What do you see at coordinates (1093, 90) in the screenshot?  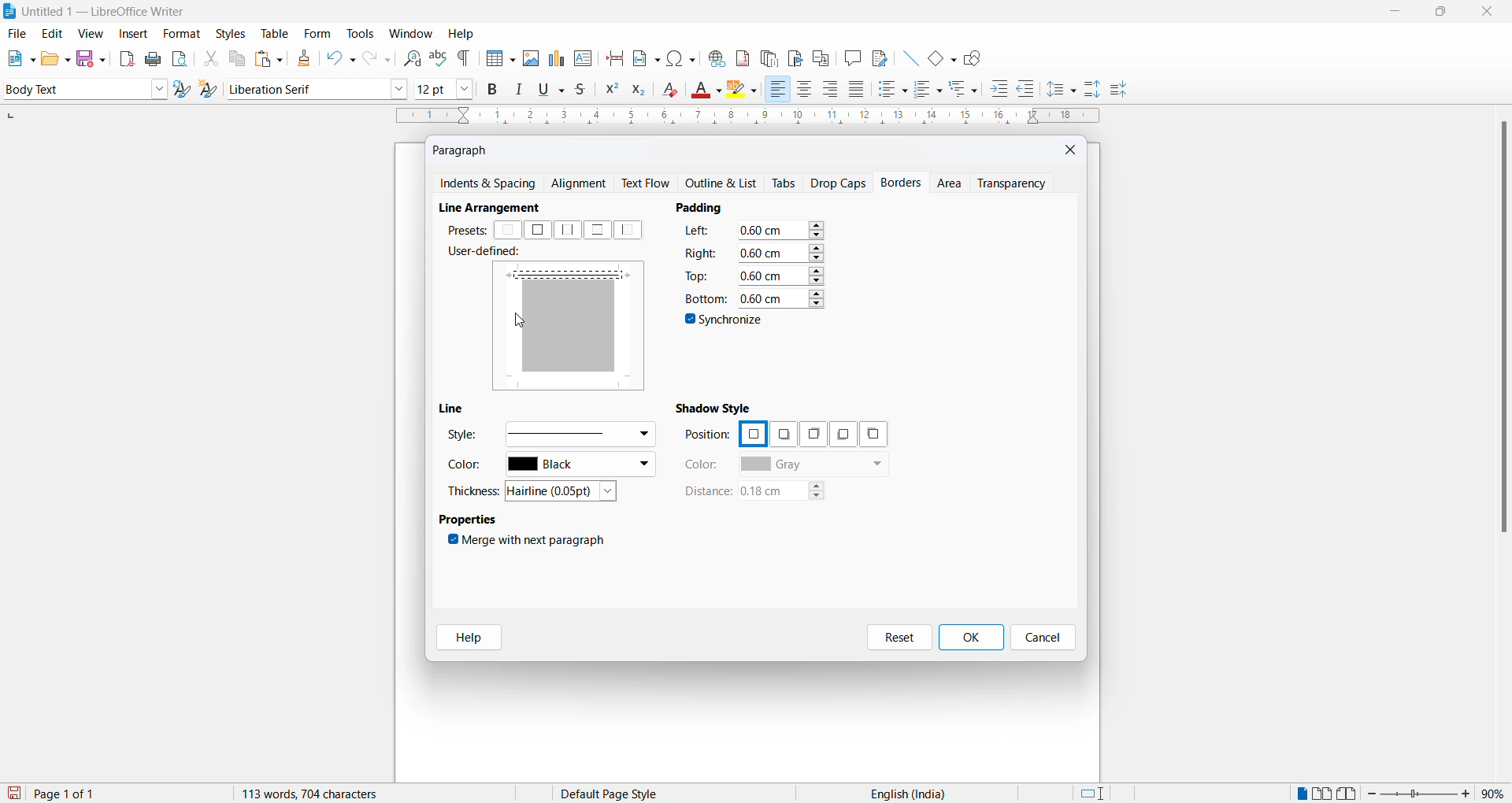 I see `increase paragraph` at bounding box center [1093, 90].